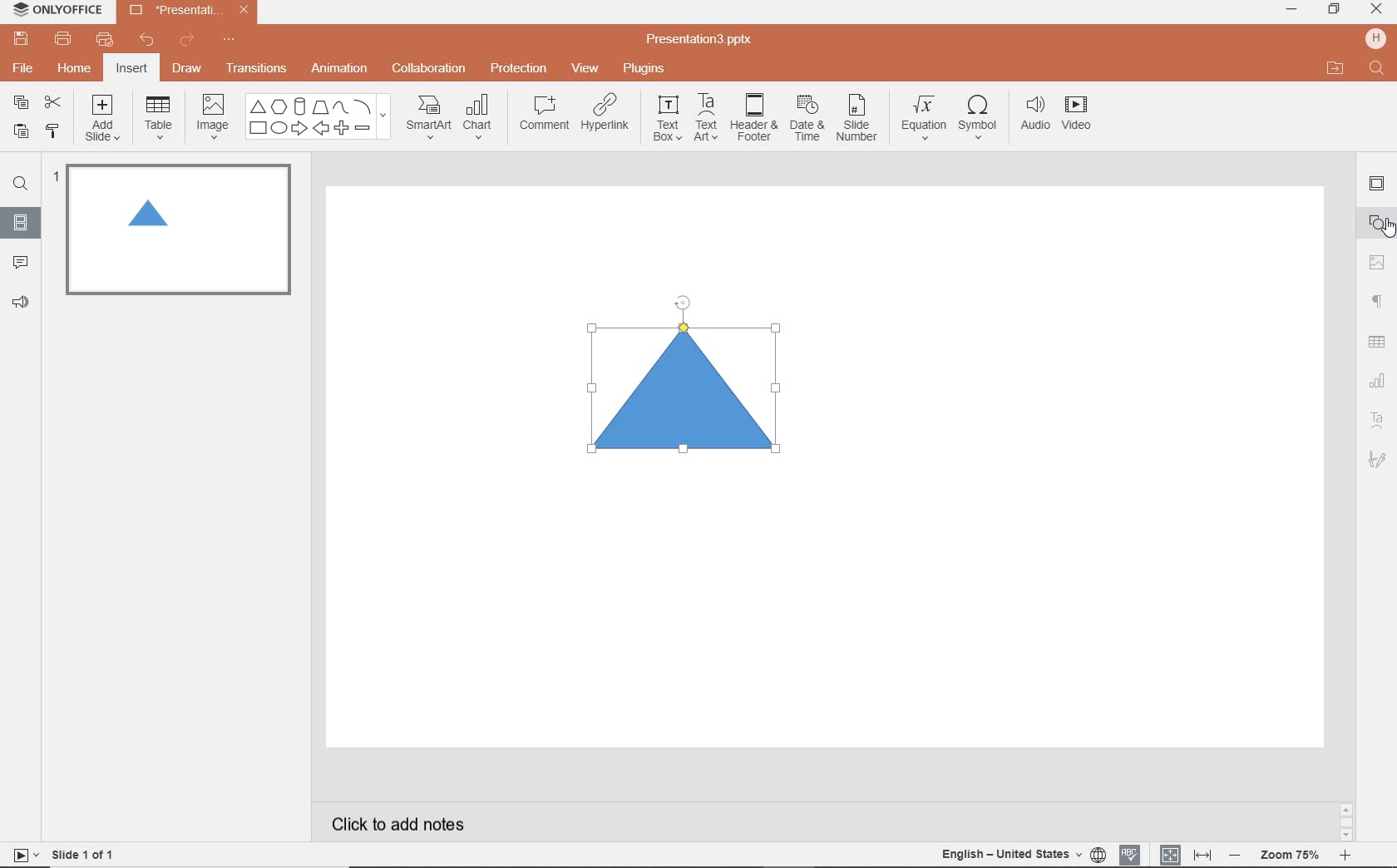 Image resolution: width=1397 pixels, height=868 pixels. Describe the element at coordinates (1291, 856) in the screenshot. I see `ZOOM level` at that location.